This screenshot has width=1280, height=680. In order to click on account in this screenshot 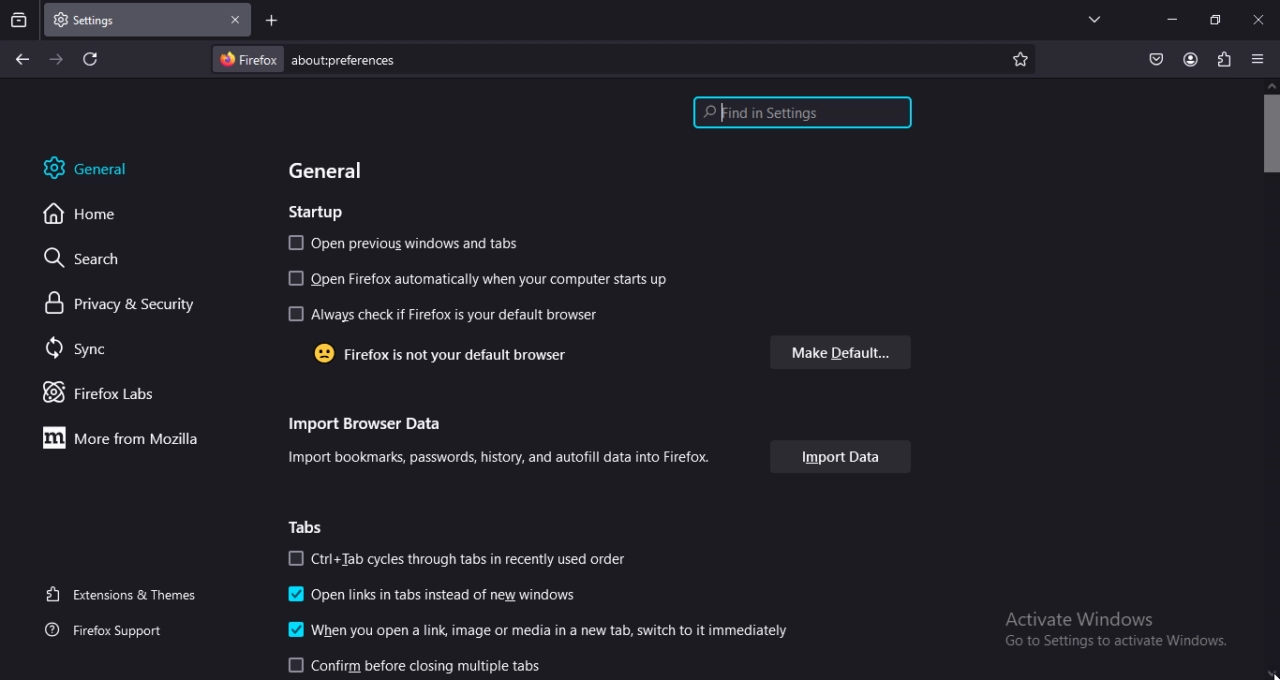, I will do `click(1188, 59)`.